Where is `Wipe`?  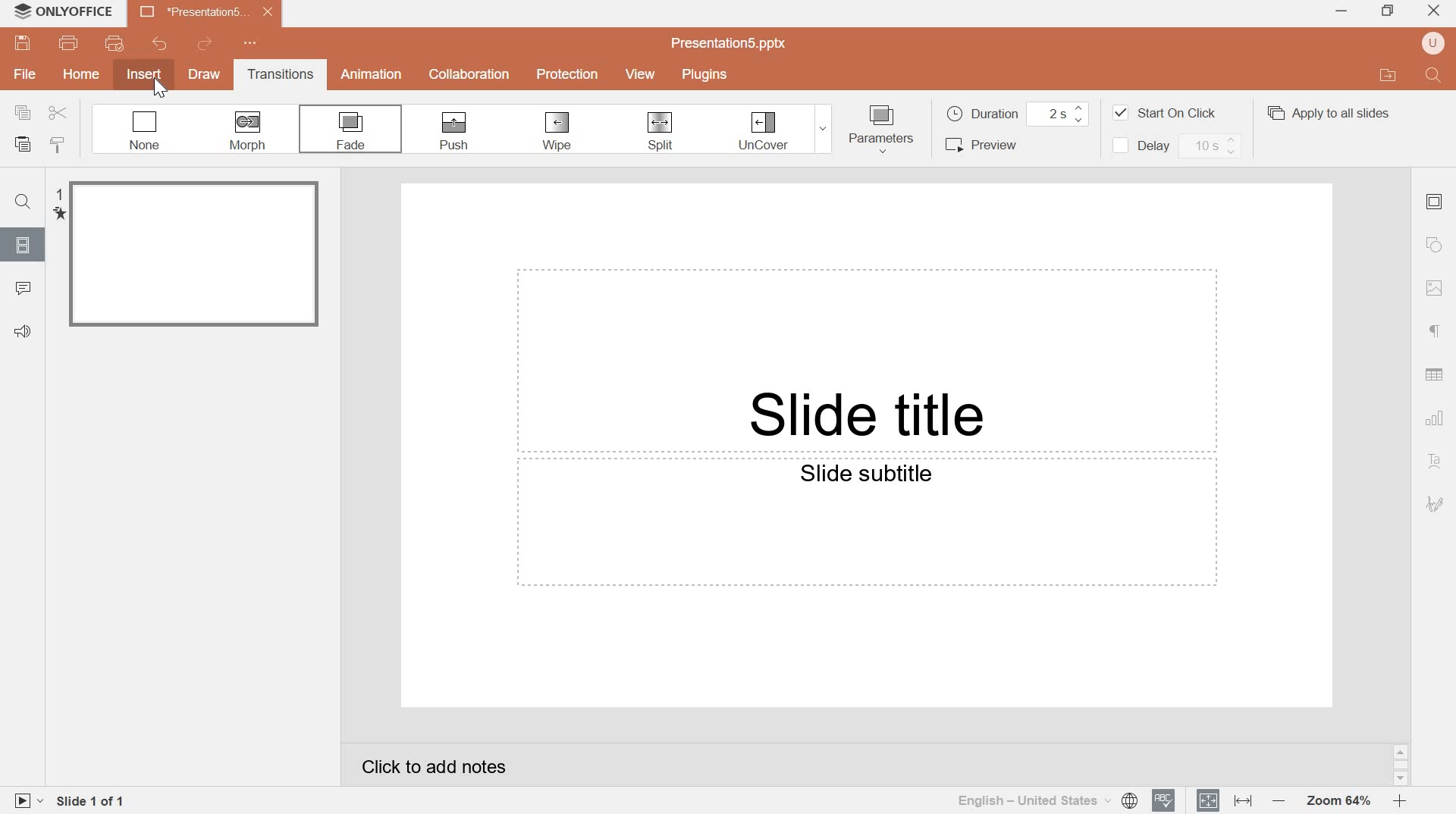 Wipe is located at coordinates (556, 130).